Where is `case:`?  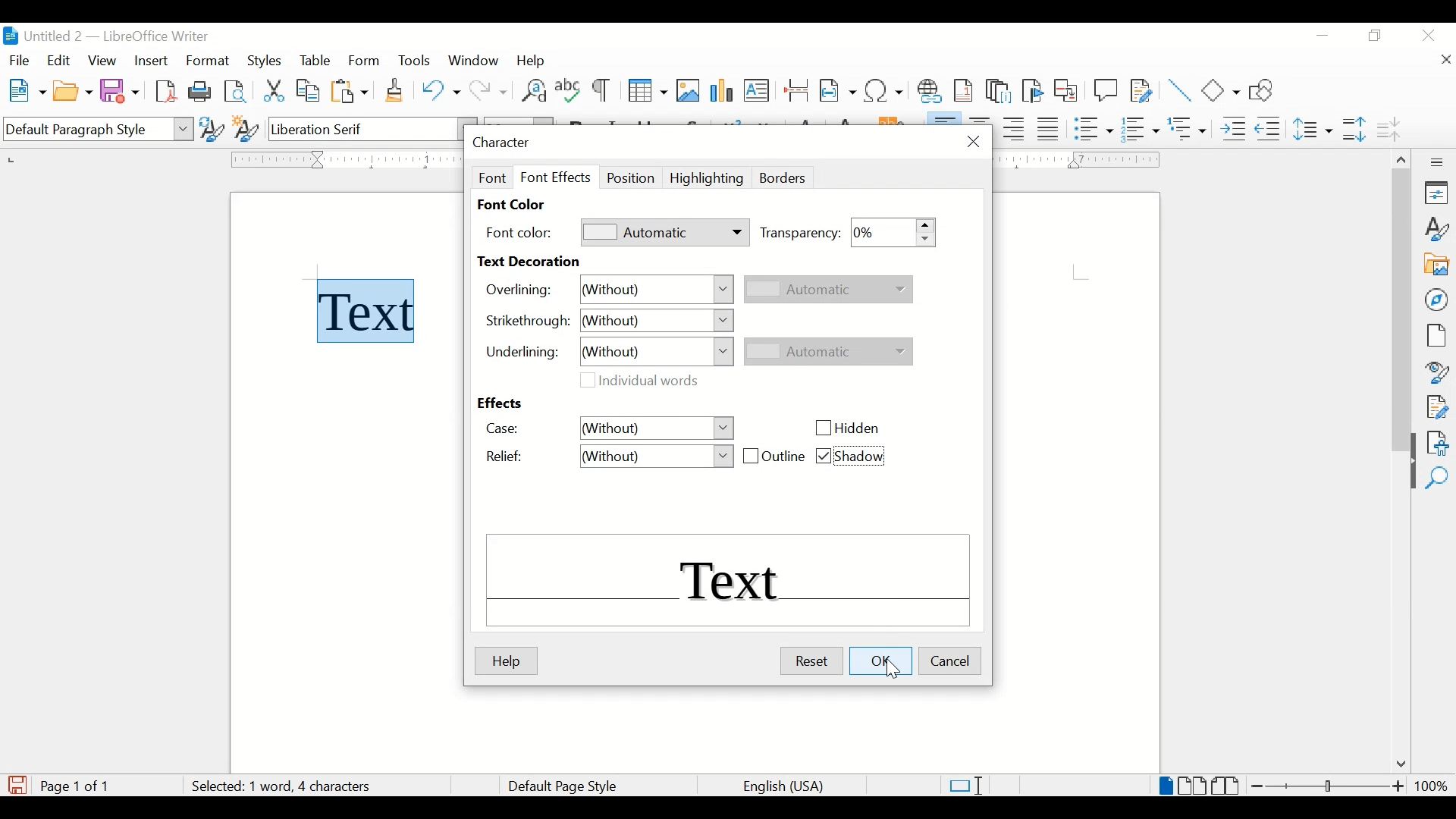
case: is located at coordinates (503, 429).